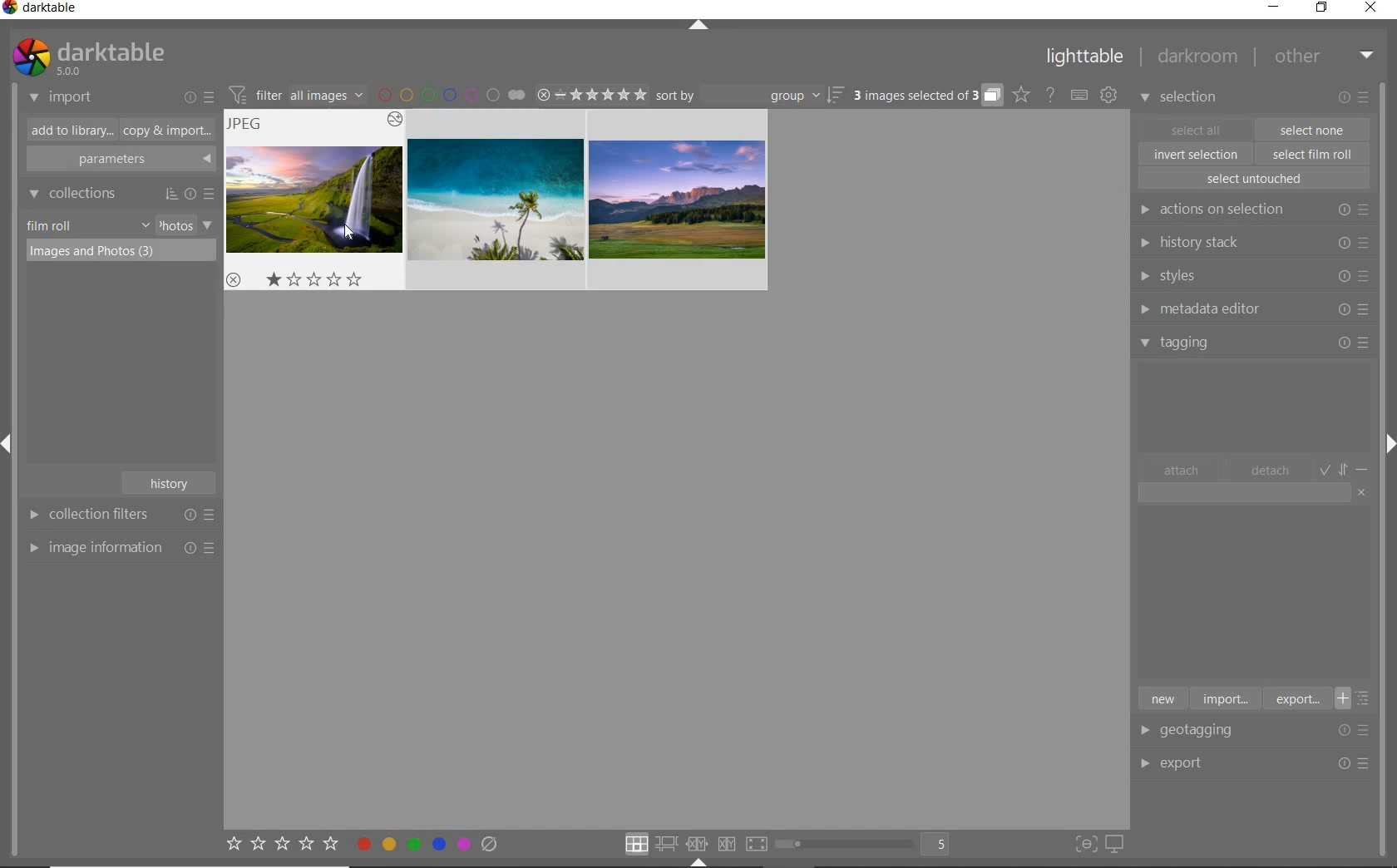 Image resolution: width=1397 pixels, height=868 pixels. I want to click on sort, so click(750, 96).